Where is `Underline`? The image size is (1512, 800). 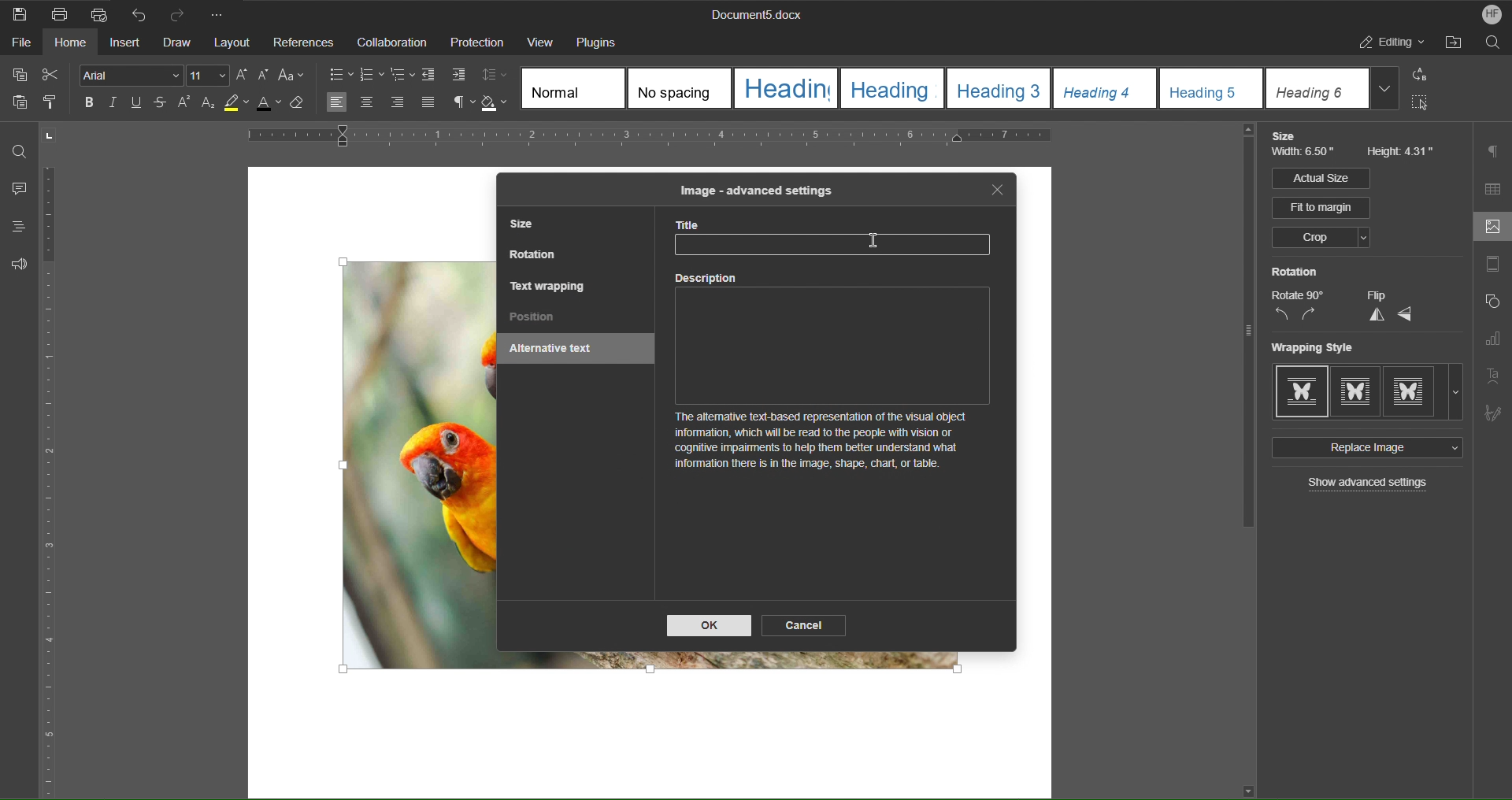 Underline is located at coordinates (140, 104).